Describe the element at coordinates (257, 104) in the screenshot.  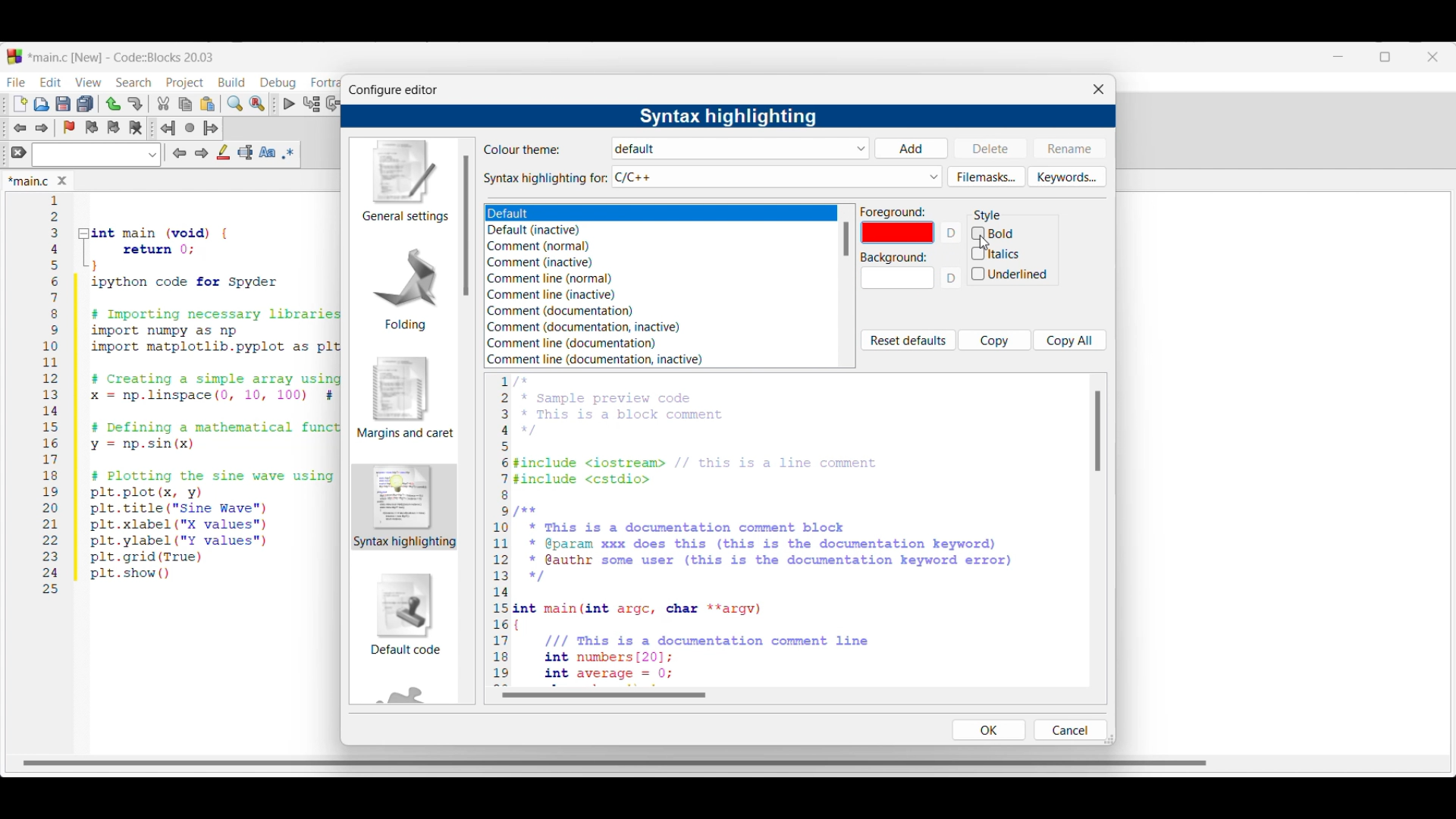
I see `Replace` at that location.